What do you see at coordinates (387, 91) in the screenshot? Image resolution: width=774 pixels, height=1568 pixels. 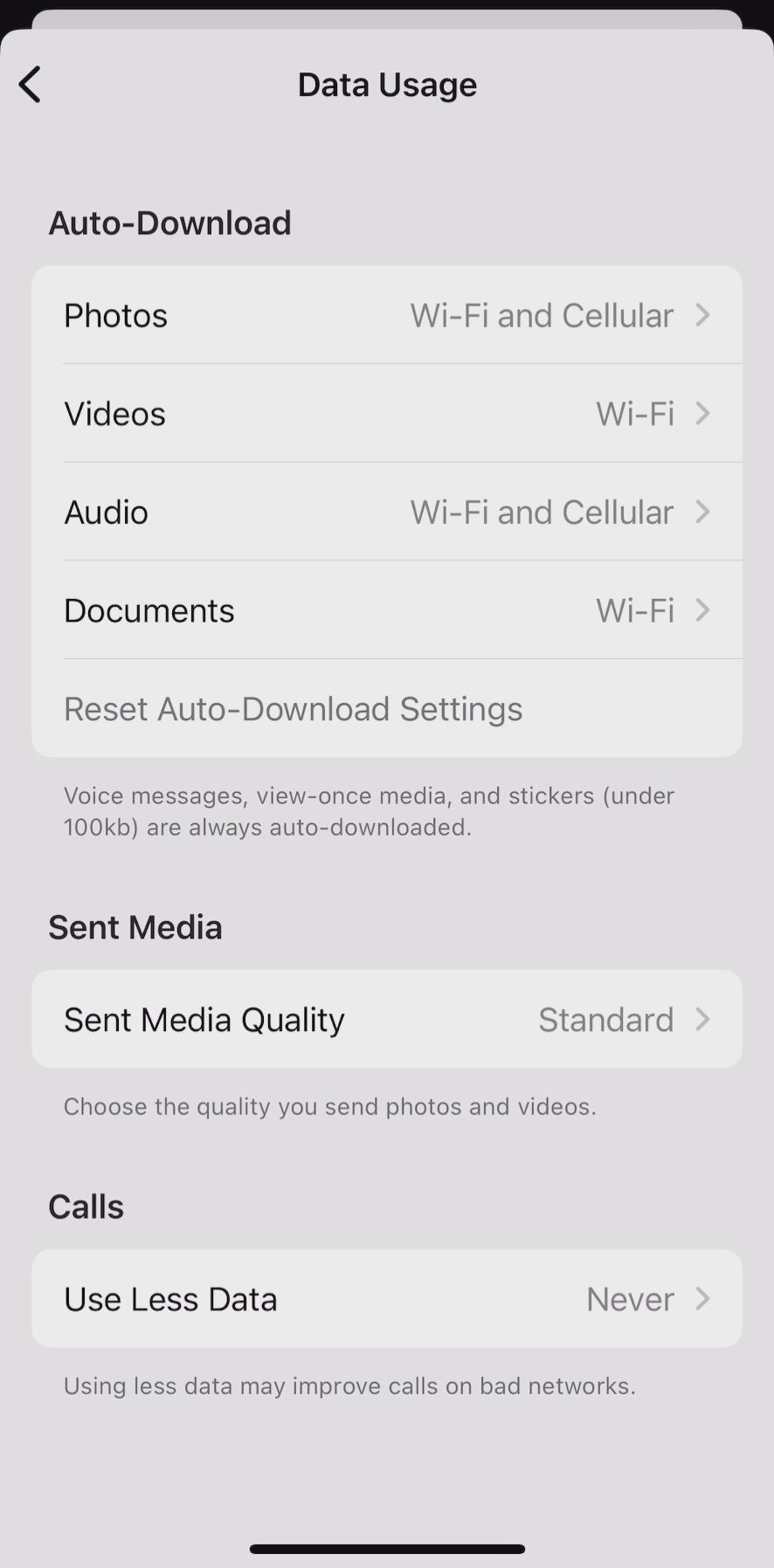 I see `Data Usage` at bounding box center [387, 91].